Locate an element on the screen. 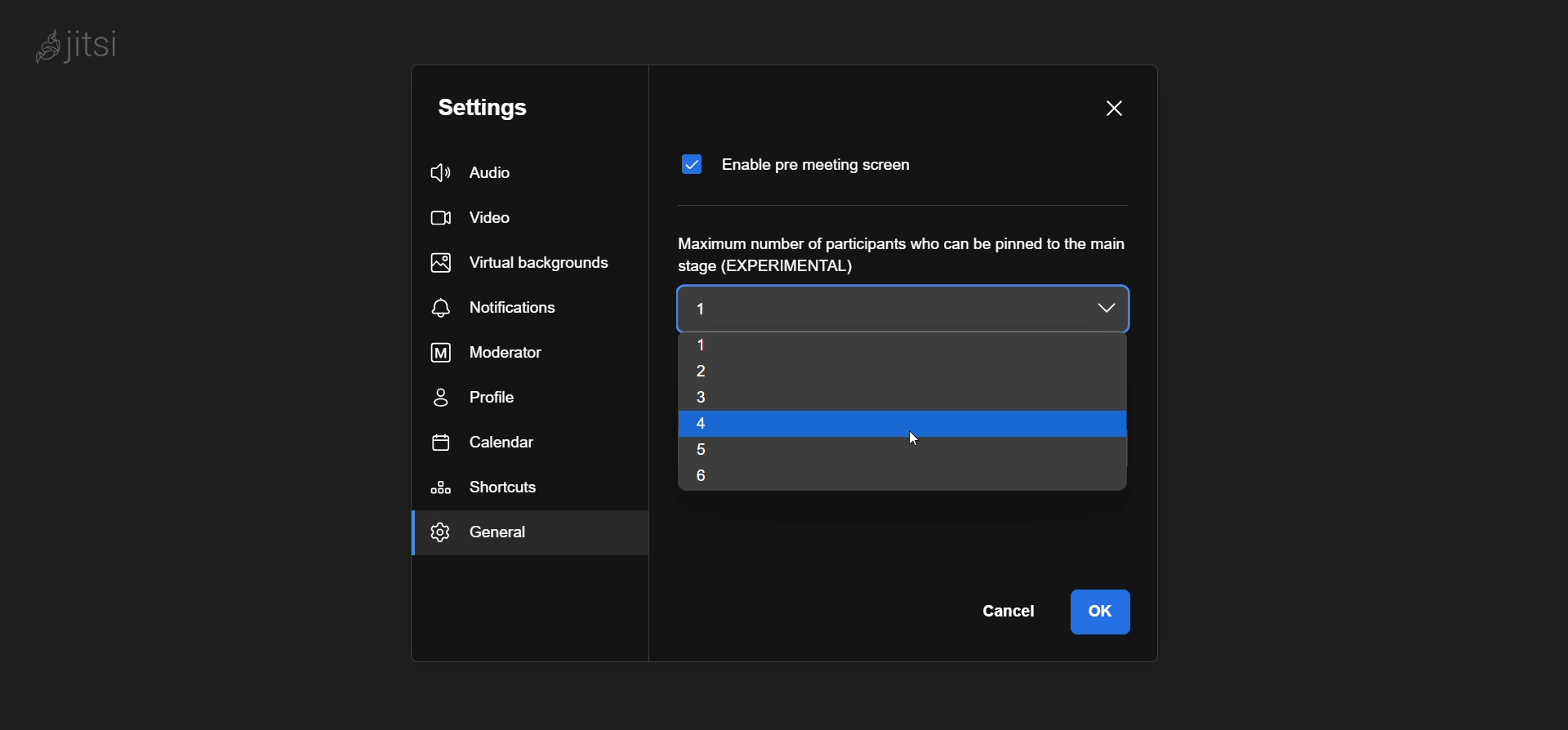 The height and width of the screenshot is (730, 1568). 4 is located at coordinates (728, 425).